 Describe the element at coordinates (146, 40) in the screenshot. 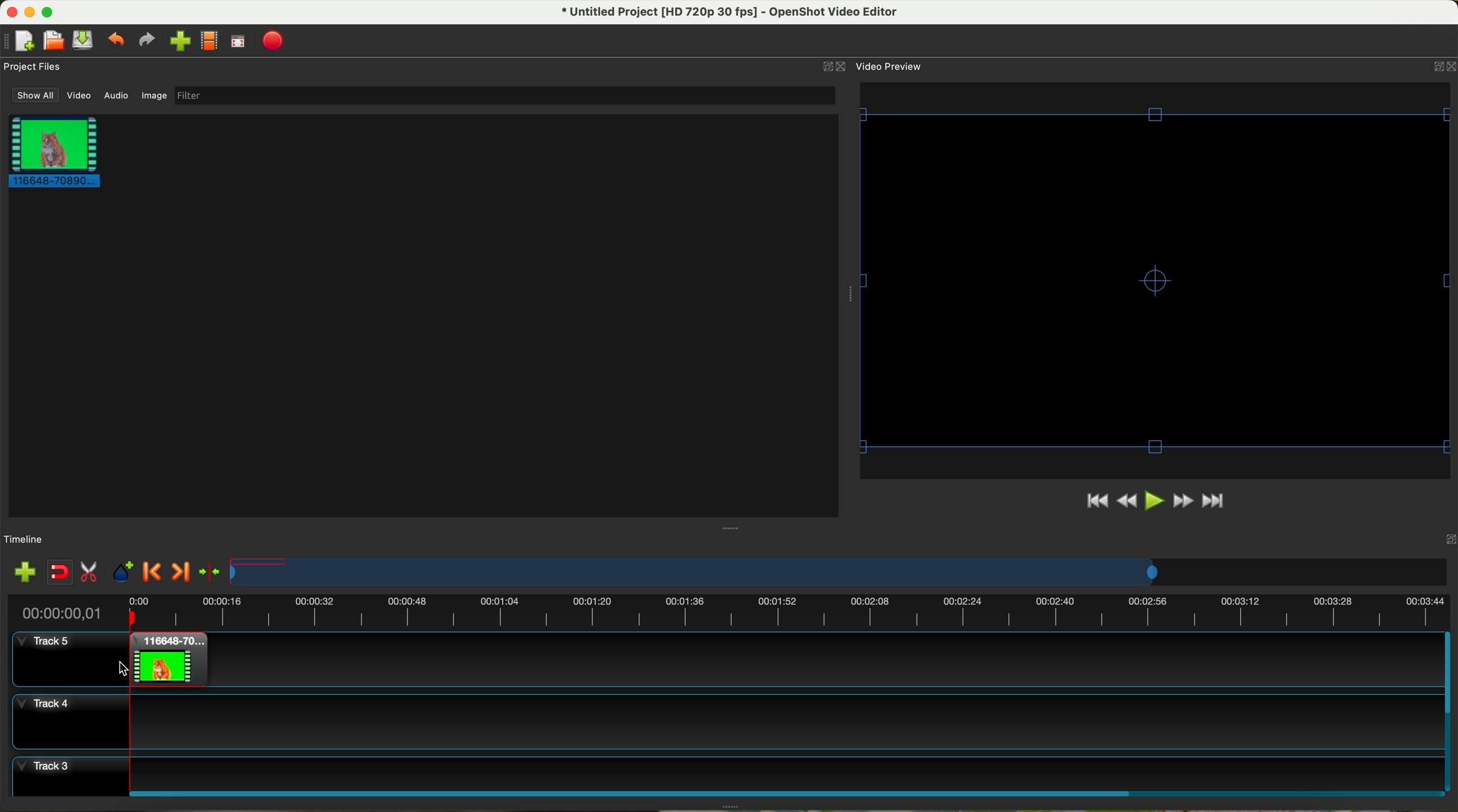

I see `redo` at that location.